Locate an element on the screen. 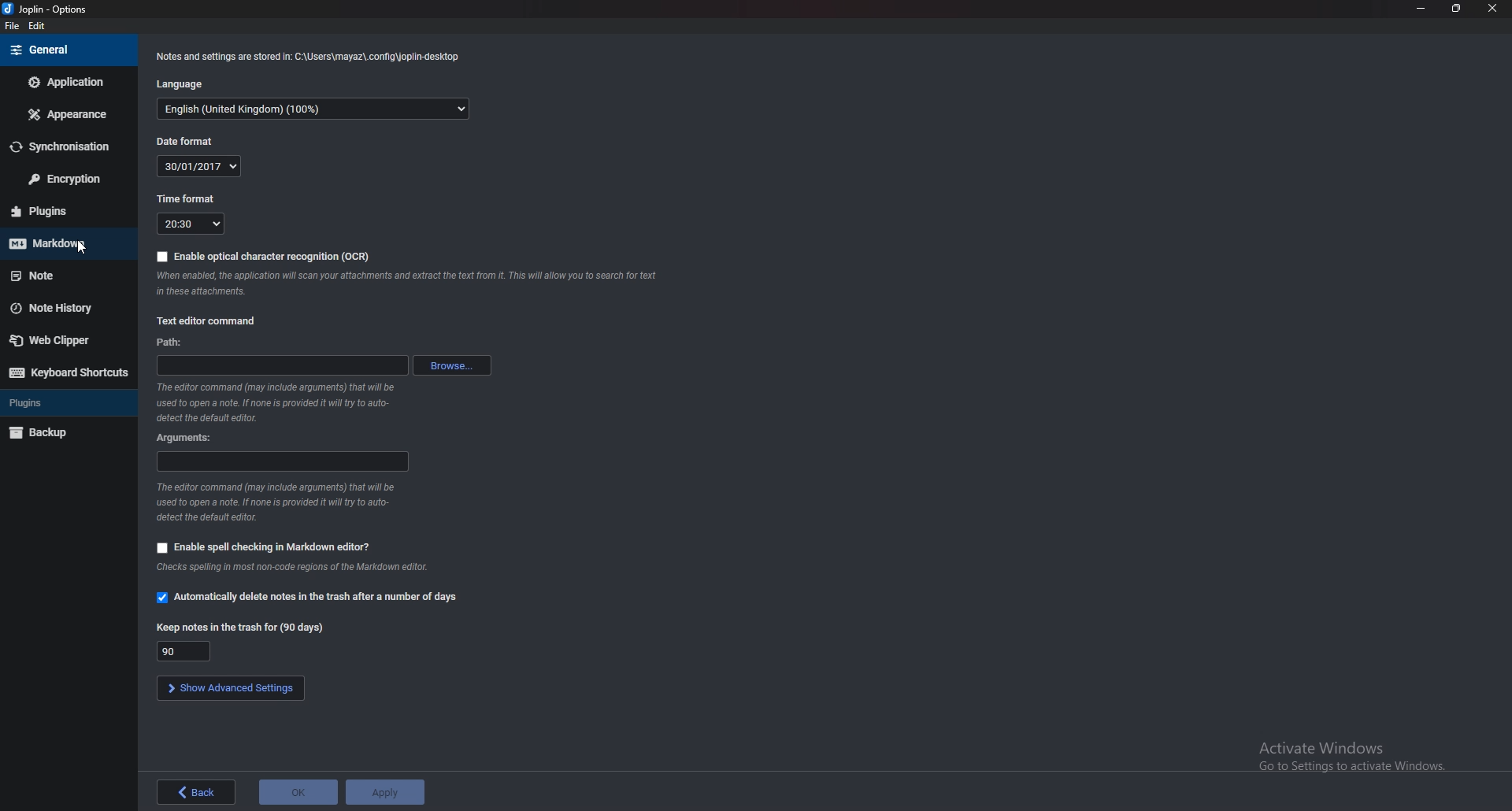  Plugins is located at coordinates (68, 403).